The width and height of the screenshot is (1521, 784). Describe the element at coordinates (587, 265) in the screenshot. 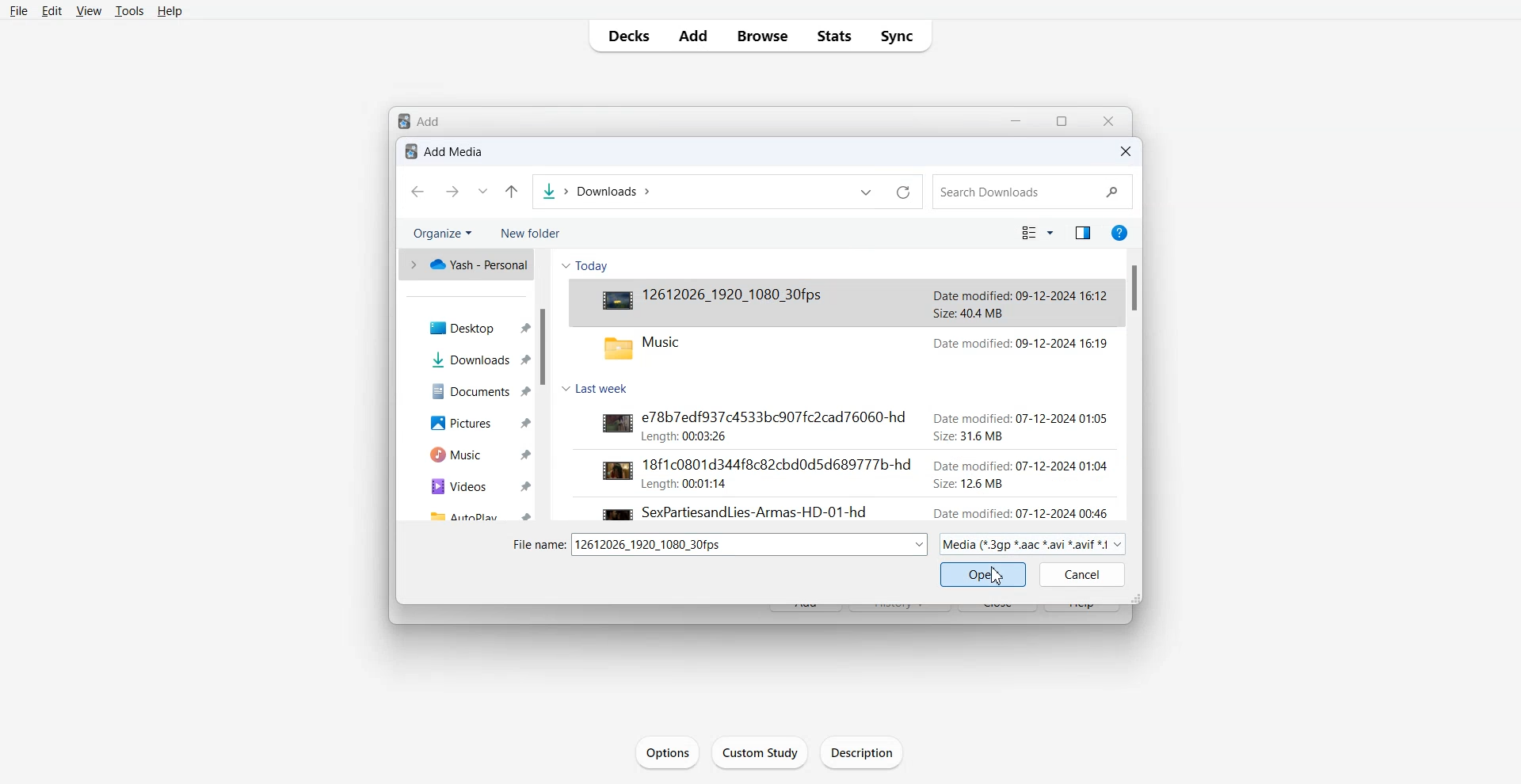

I see `Today` at that location.